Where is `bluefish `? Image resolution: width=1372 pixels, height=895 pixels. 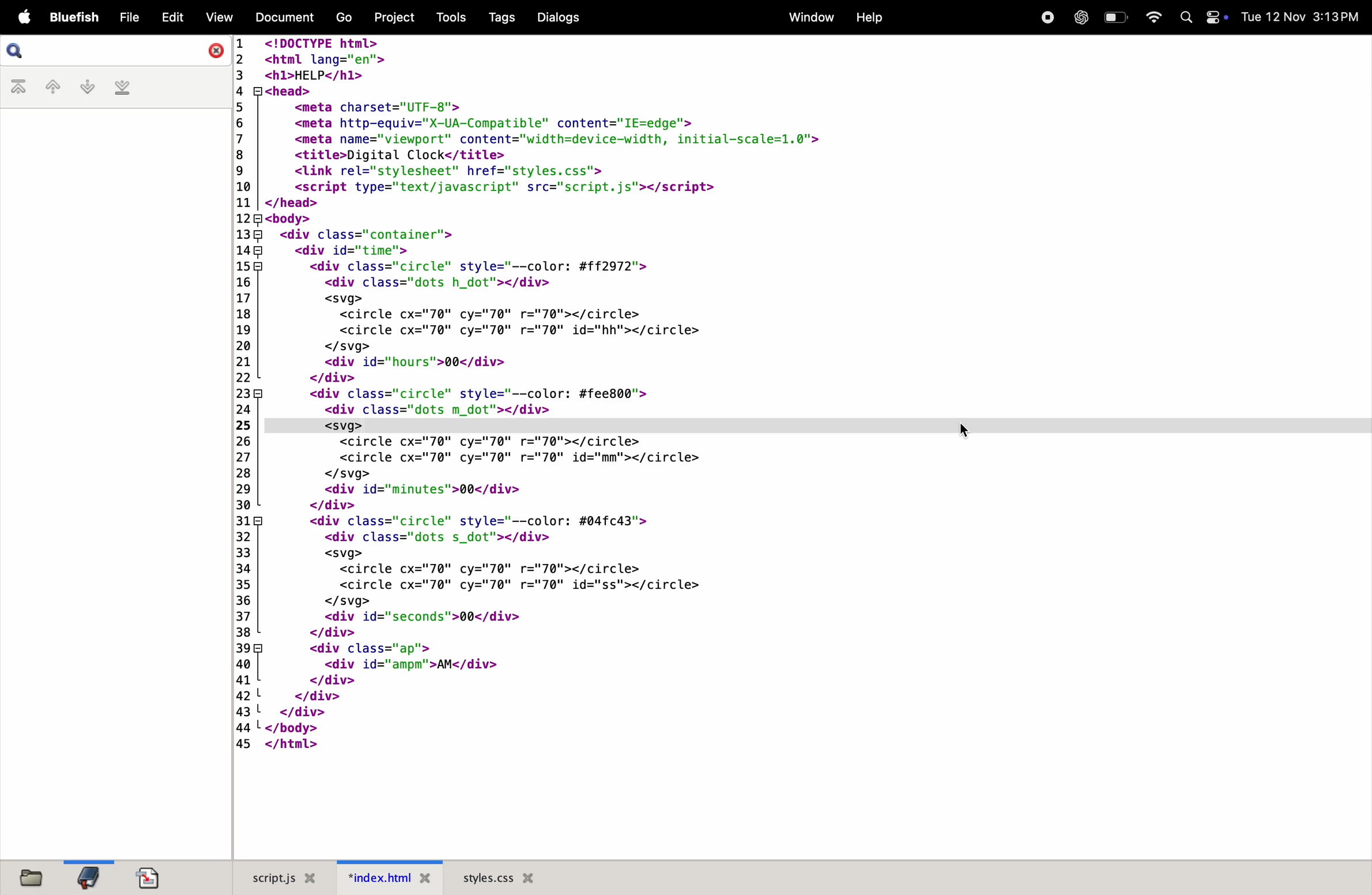 bluefish  is located at coordinates (75, 18).